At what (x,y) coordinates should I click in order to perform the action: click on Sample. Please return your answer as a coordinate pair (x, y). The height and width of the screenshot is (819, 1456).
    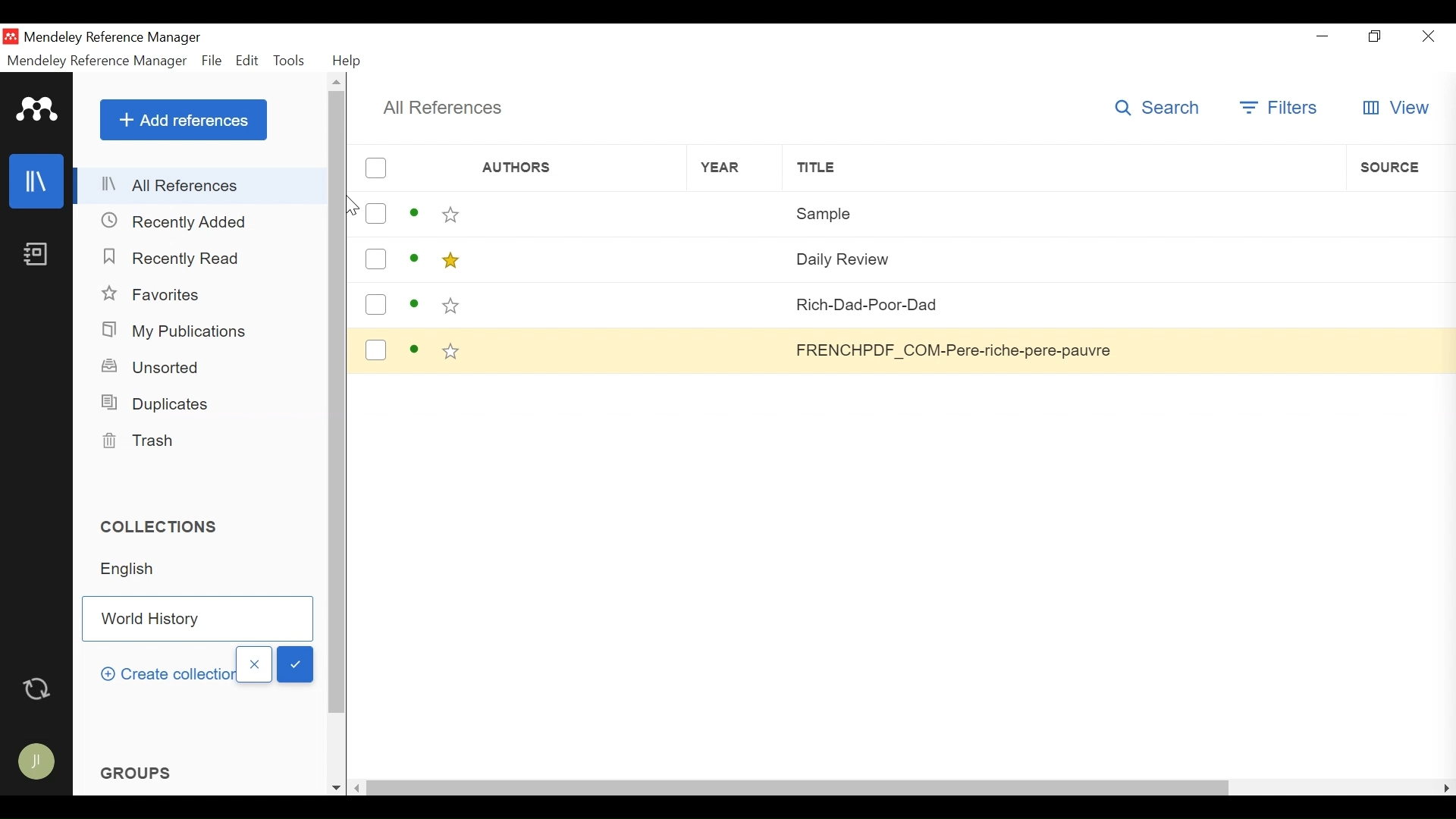
    Looking at the image, I should click on (1064, 212).